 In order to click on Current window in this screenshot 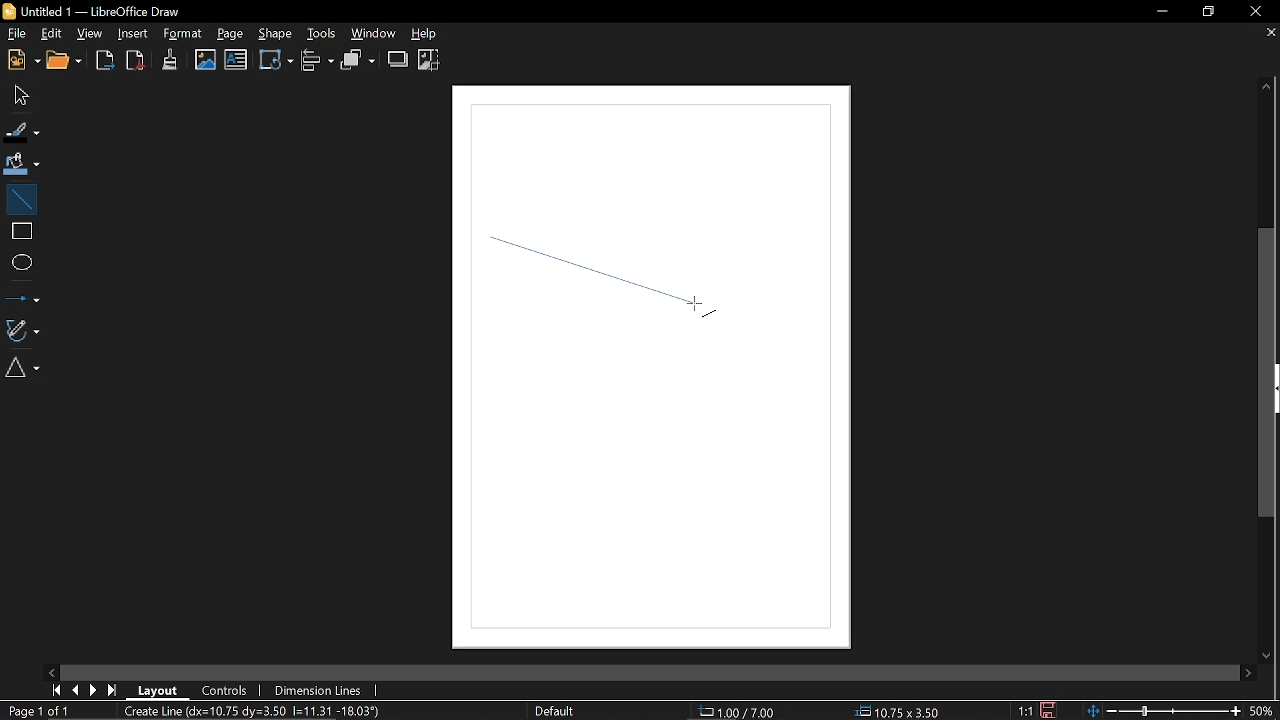, I will do `click(106, 10)`.